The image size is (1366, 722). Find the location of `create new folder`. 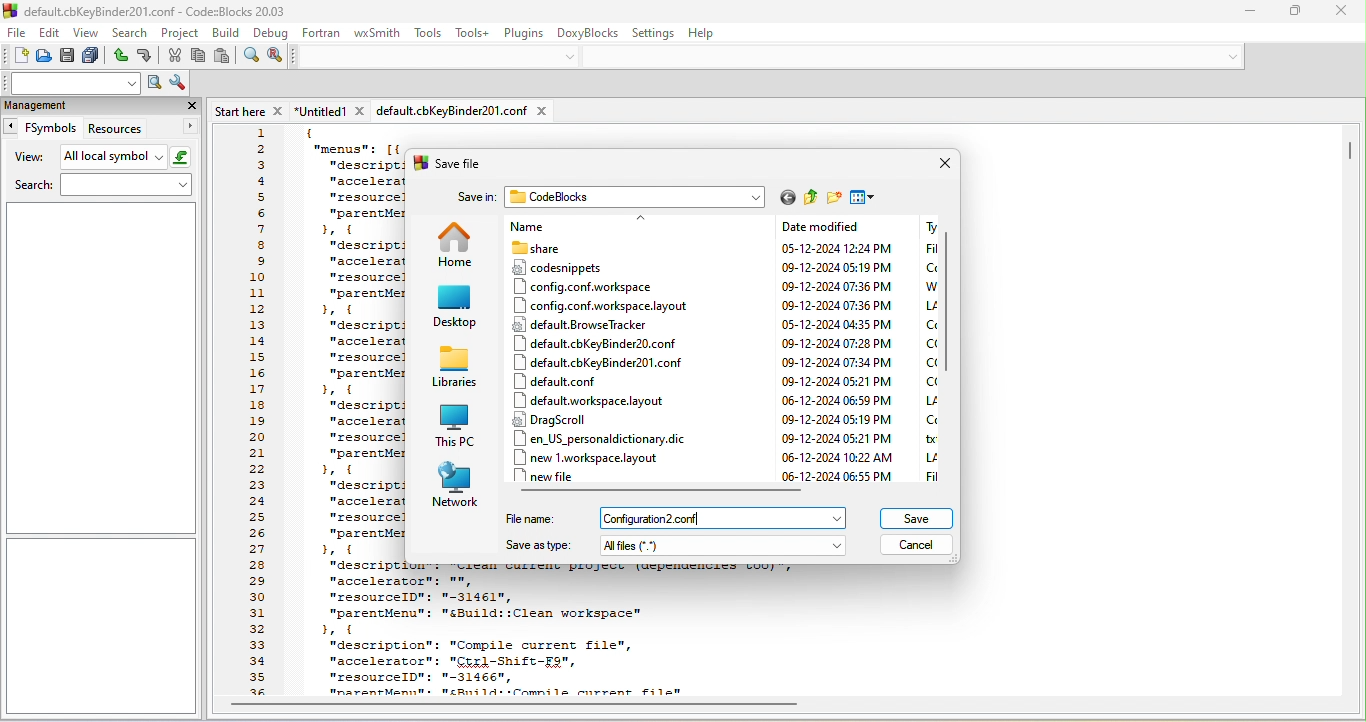

create new folder is located at coordinates (835, 198).